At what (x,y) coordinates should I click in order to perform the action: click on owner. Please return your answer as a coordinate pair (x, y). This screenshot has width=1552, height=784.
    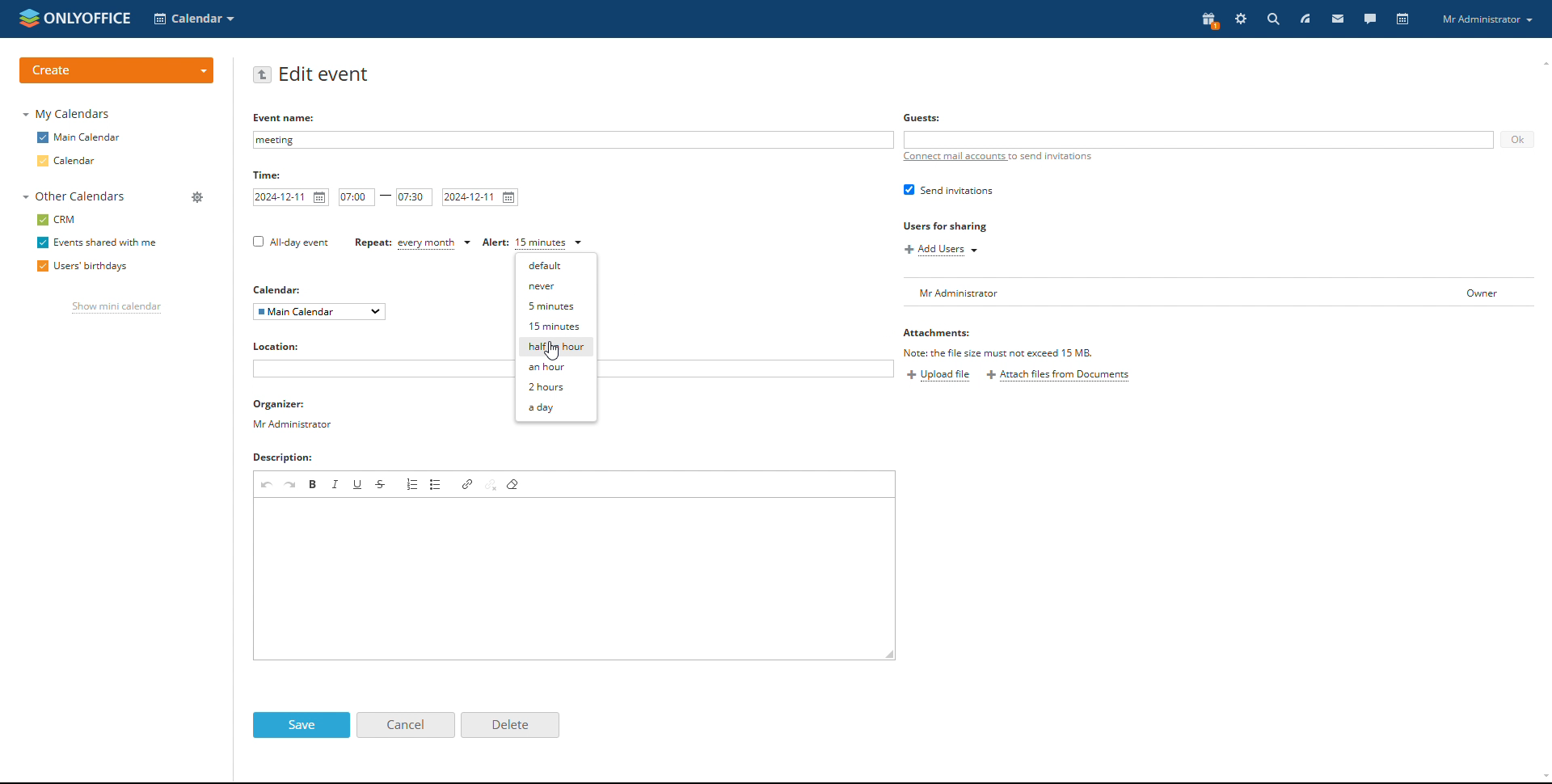
    Looking at the image, I should click on (1484, 297).